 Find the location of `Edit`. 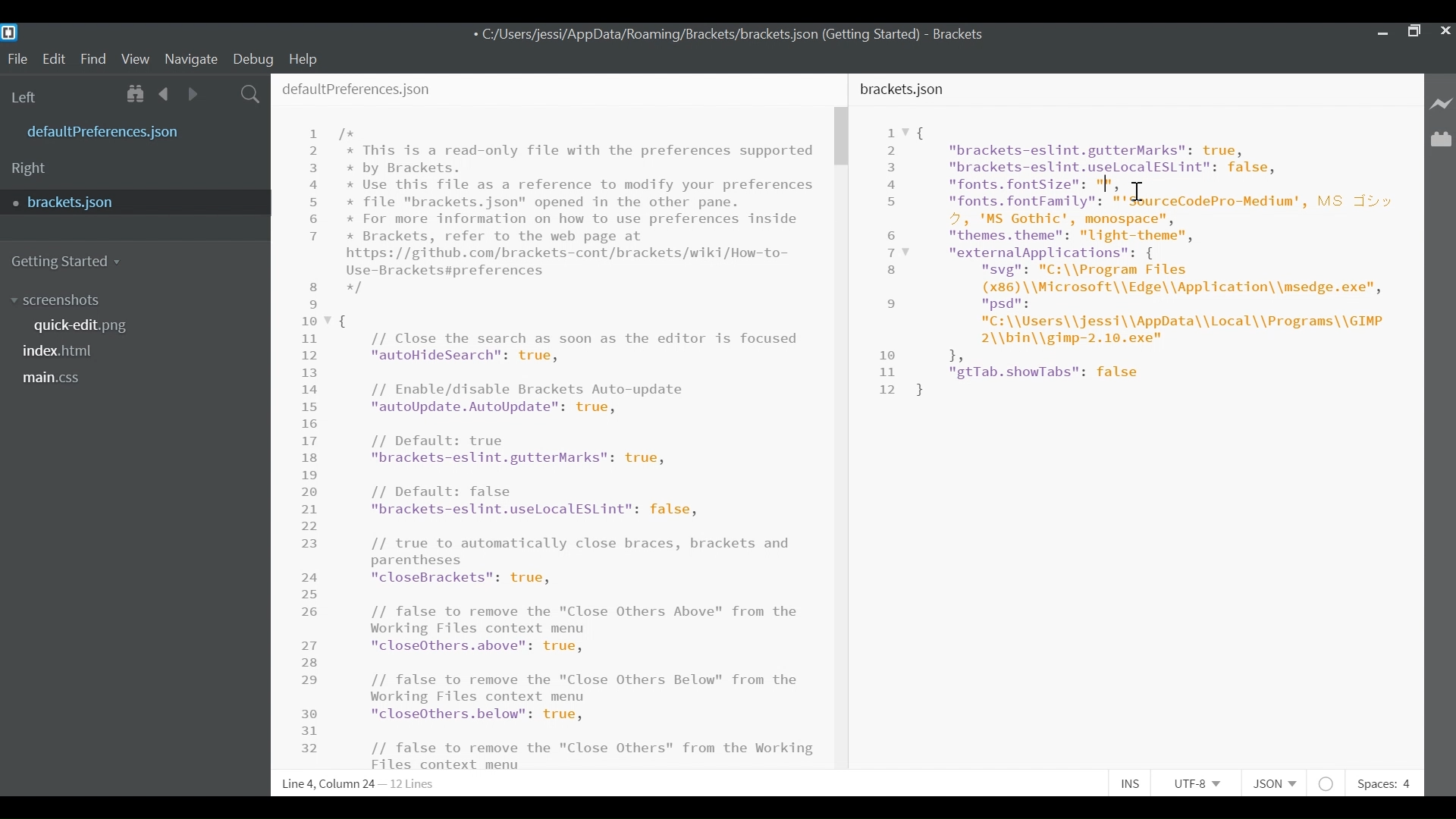

Edit is located at coordinates (52, 58).